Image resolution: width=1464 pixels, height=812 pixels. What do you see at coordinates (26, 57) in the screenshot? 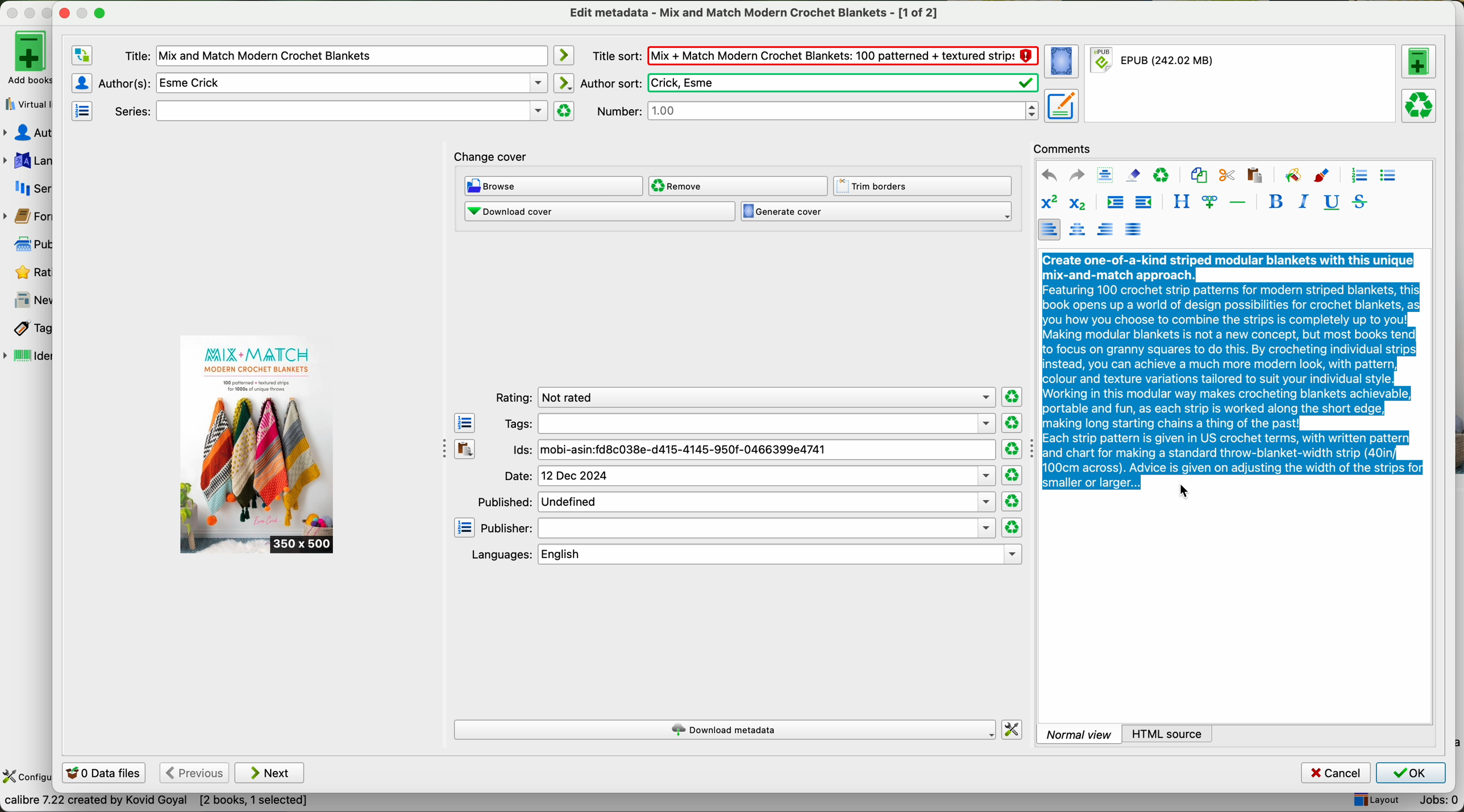
I see `add books` at bounding box center [26, 57].